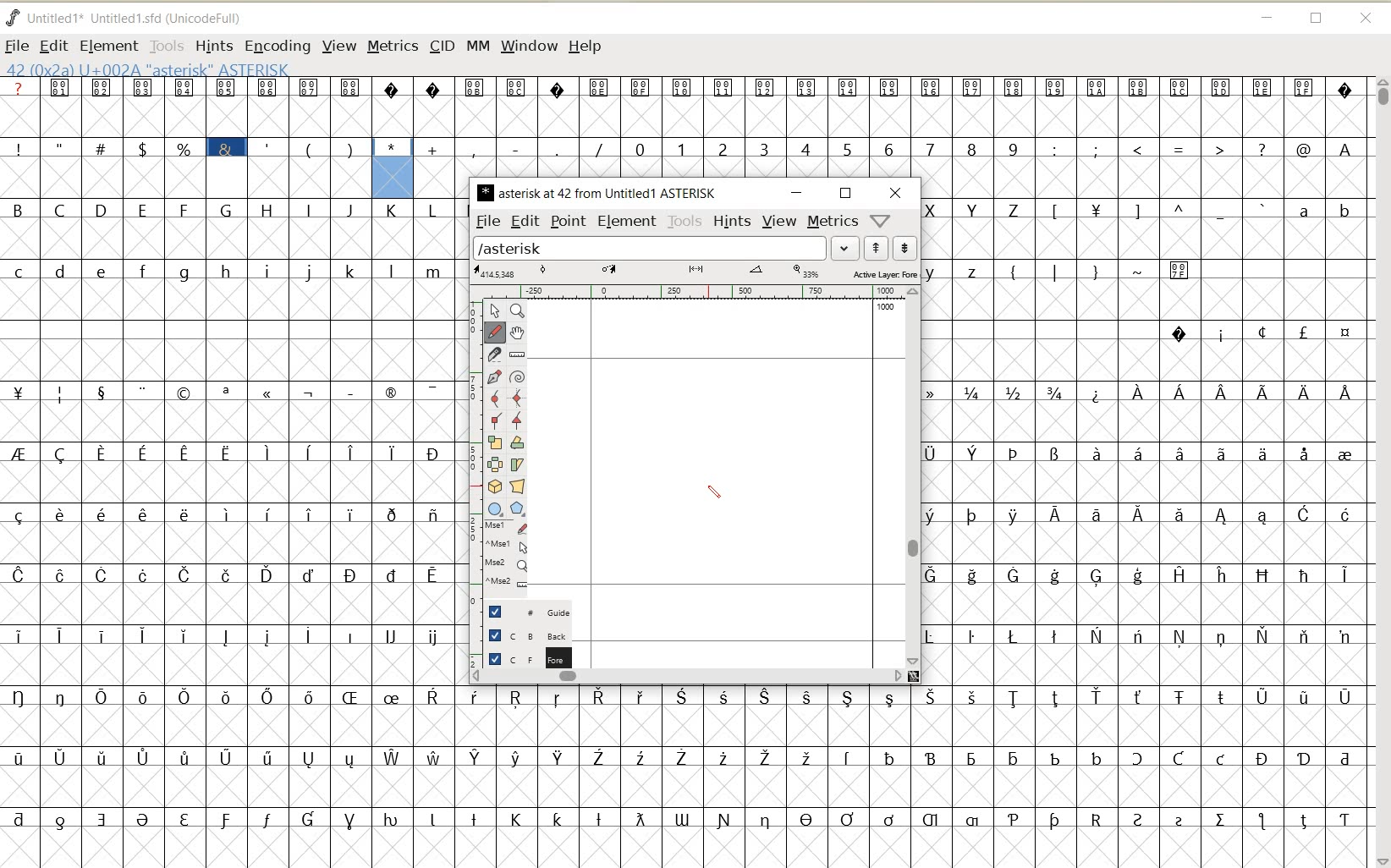  Describe the element at coordinates (519, 657) in the screenshot. I see `FOREGROUND` at that location.